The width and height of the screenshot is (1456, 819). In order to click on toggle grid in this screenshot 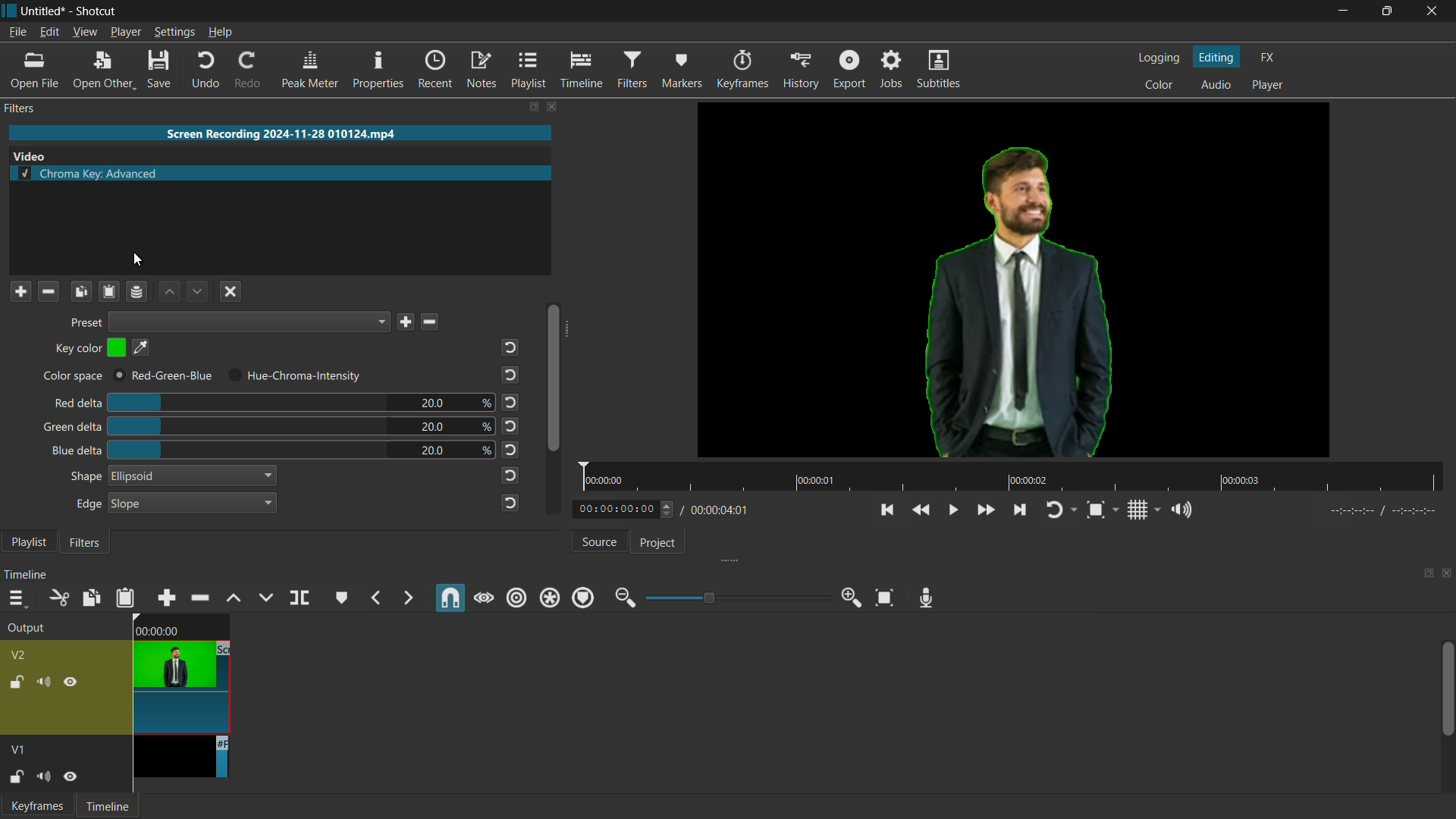, I will do `click(1137, 510)`.